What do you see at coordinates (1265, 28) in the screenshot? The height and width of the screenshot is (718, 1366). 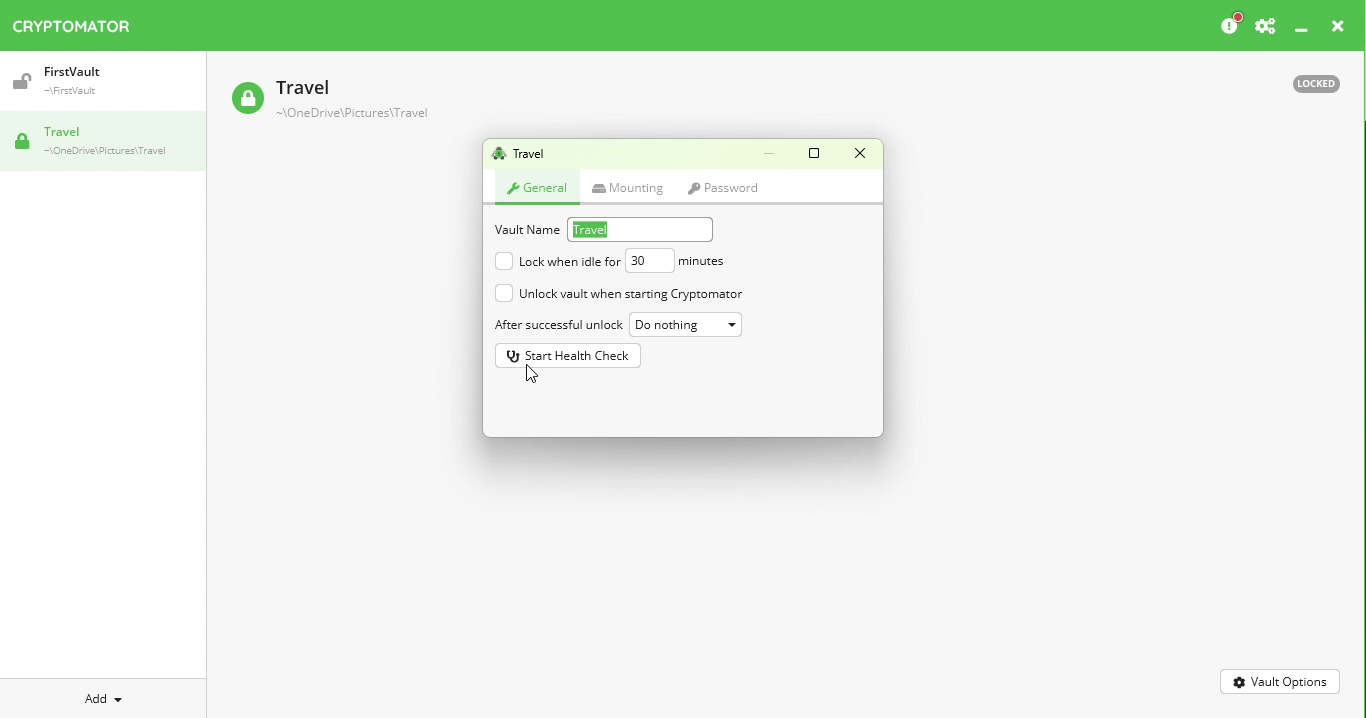 I see `Settings` at bounding box center [1265, 28].